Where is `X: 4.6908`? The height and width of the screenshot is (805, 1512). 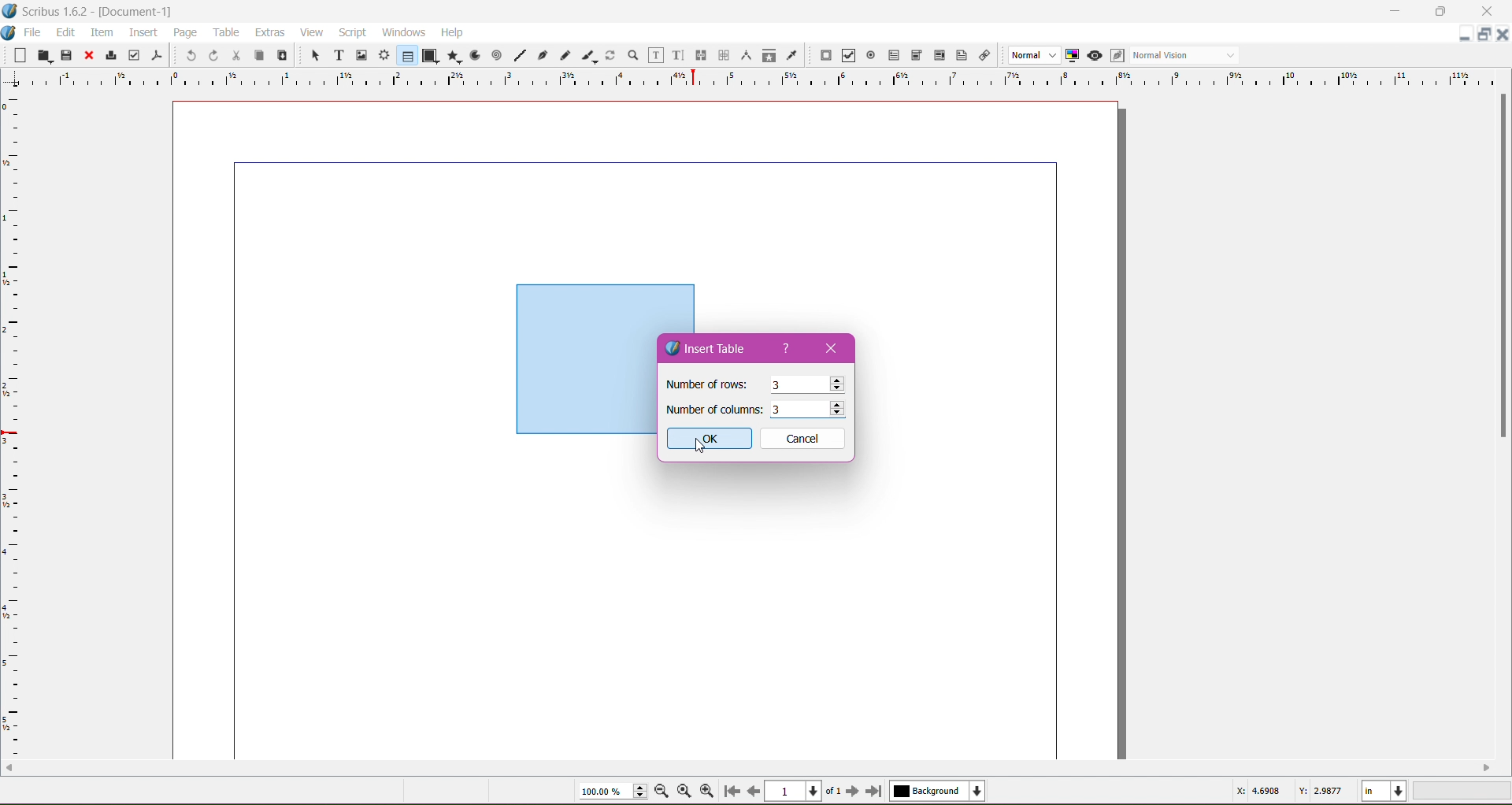
X: 4.6908 is located at coordinates (1262, 791).